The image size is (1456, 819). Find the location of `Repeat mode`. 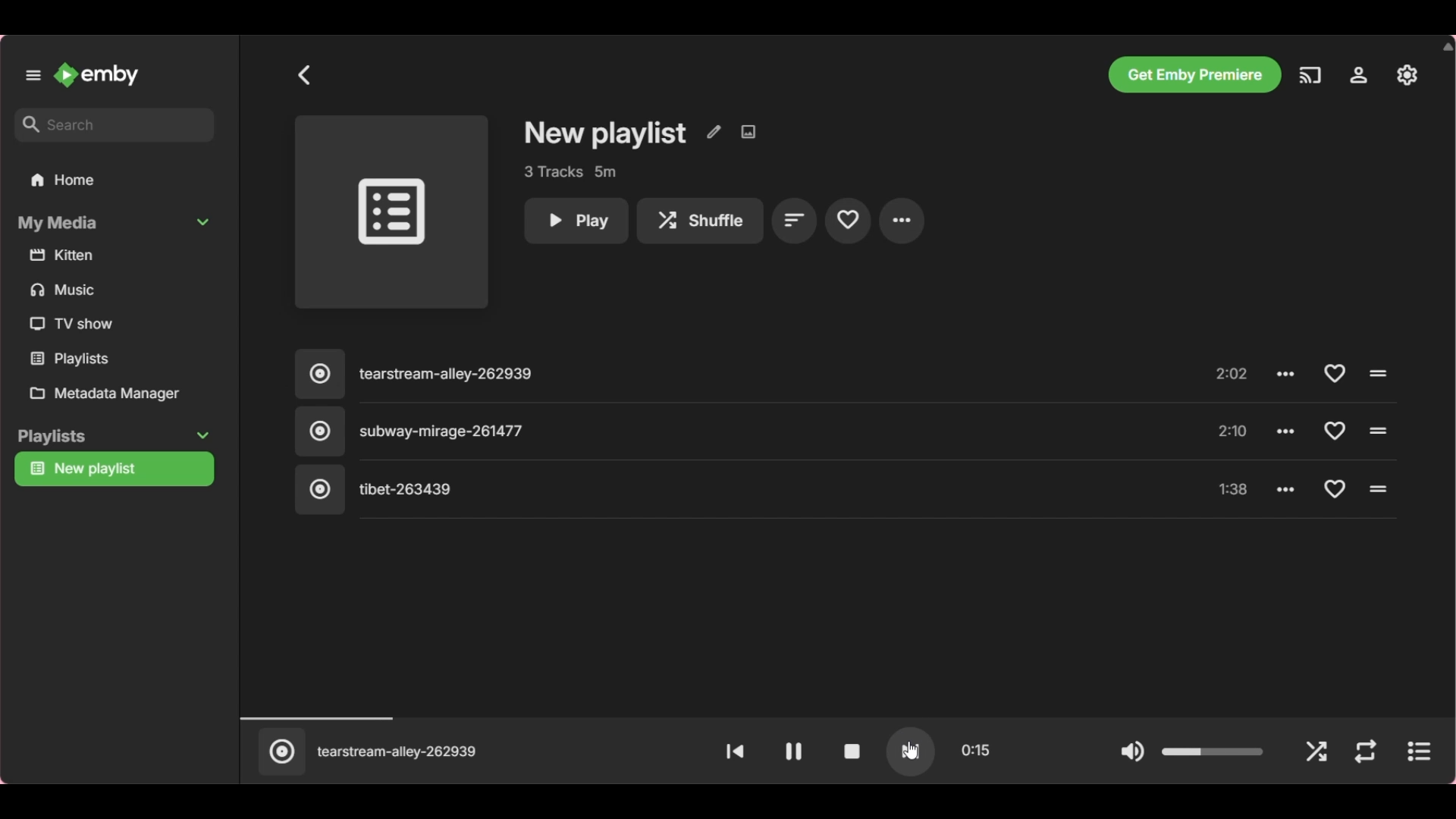

Repeat mode is located at coordinates (1363, 752).